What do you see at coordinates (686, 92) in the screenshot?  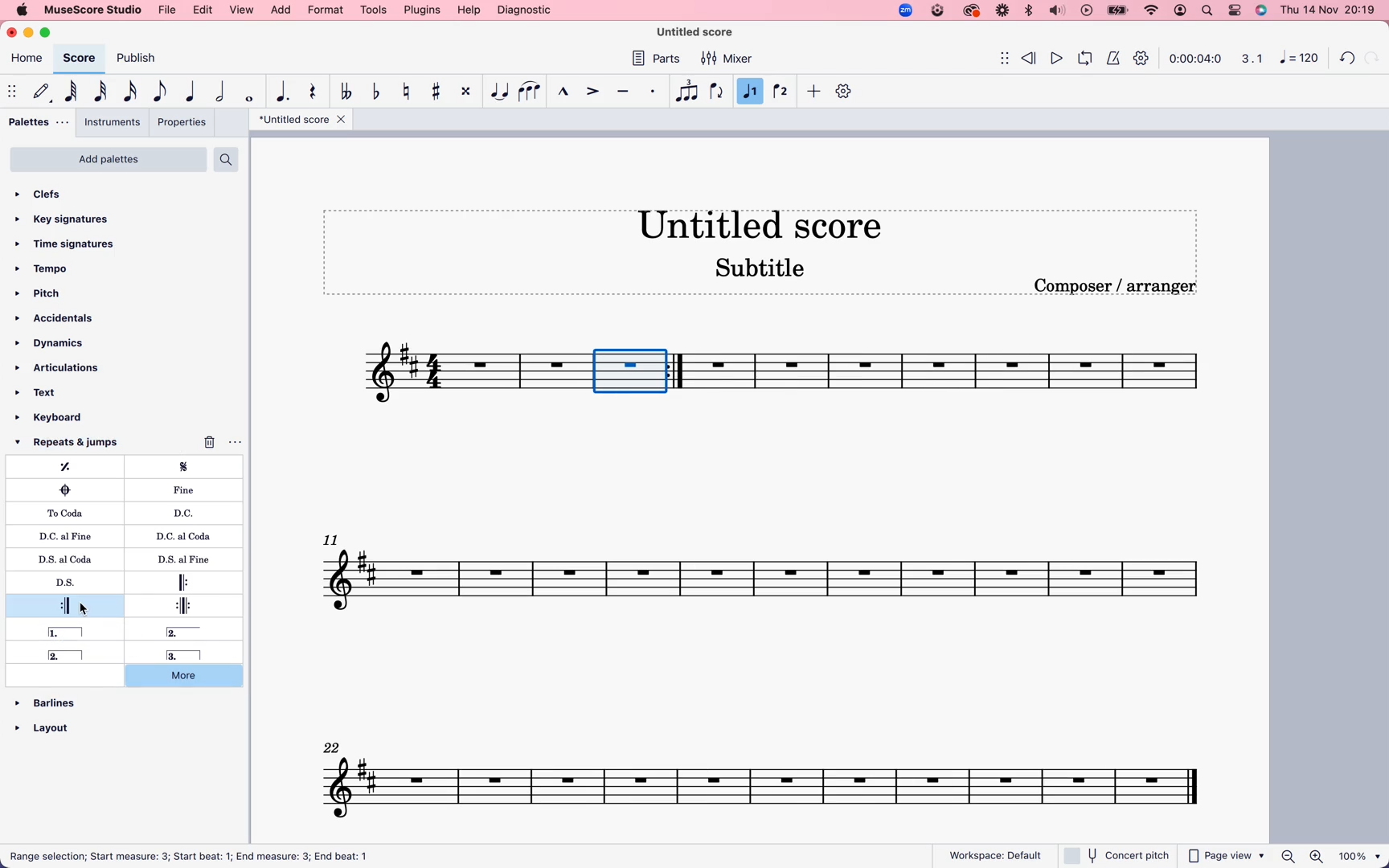 I see `tuplet` at bounding box center [686, 92].